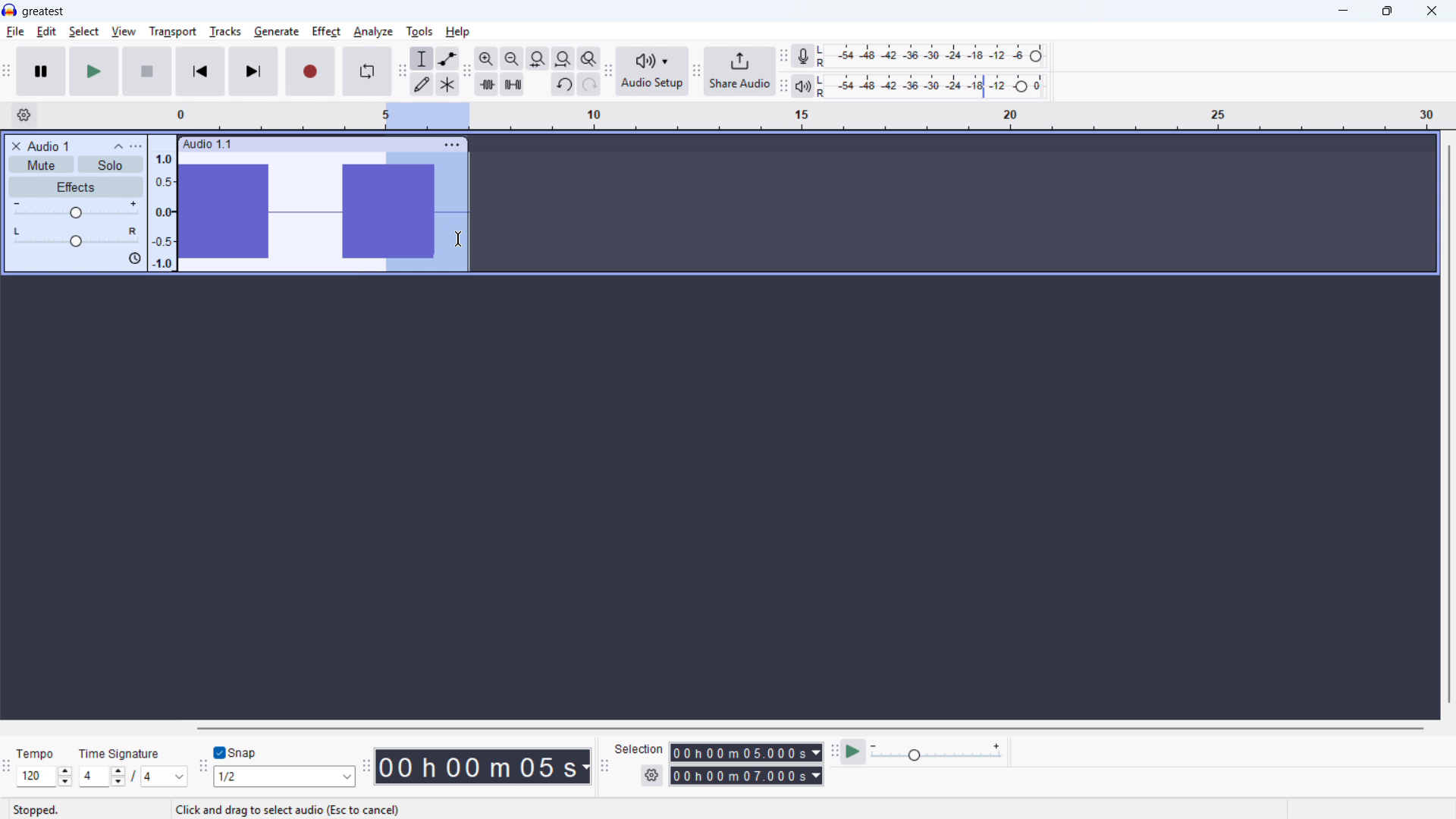 Image resolution: width=1456 pixels, height=819 pixels. I want to click on Trim audio outside selection , so click(487, 85).